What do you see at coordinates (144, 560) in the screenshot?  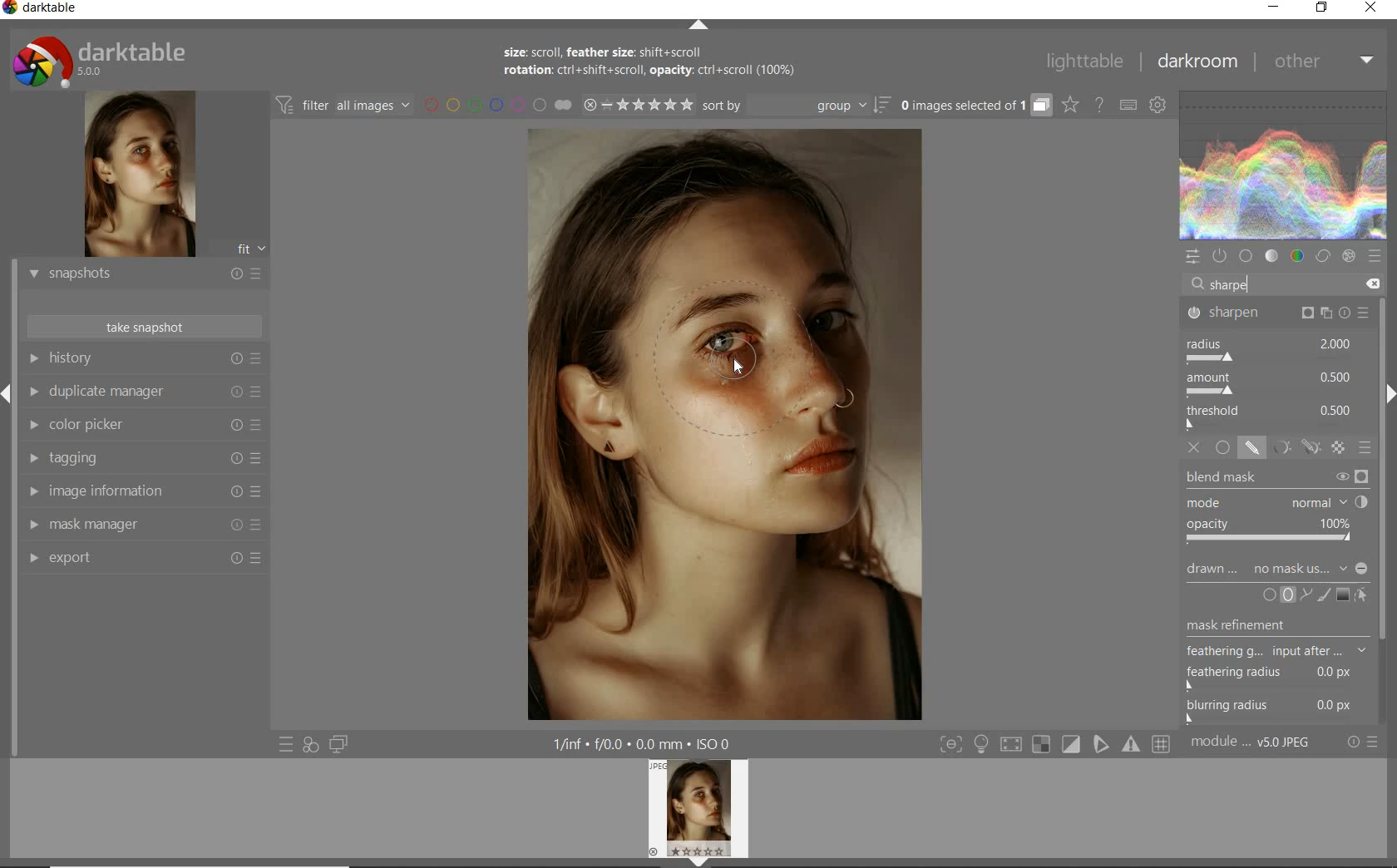 I see `export` at bounding box center [144, 560].